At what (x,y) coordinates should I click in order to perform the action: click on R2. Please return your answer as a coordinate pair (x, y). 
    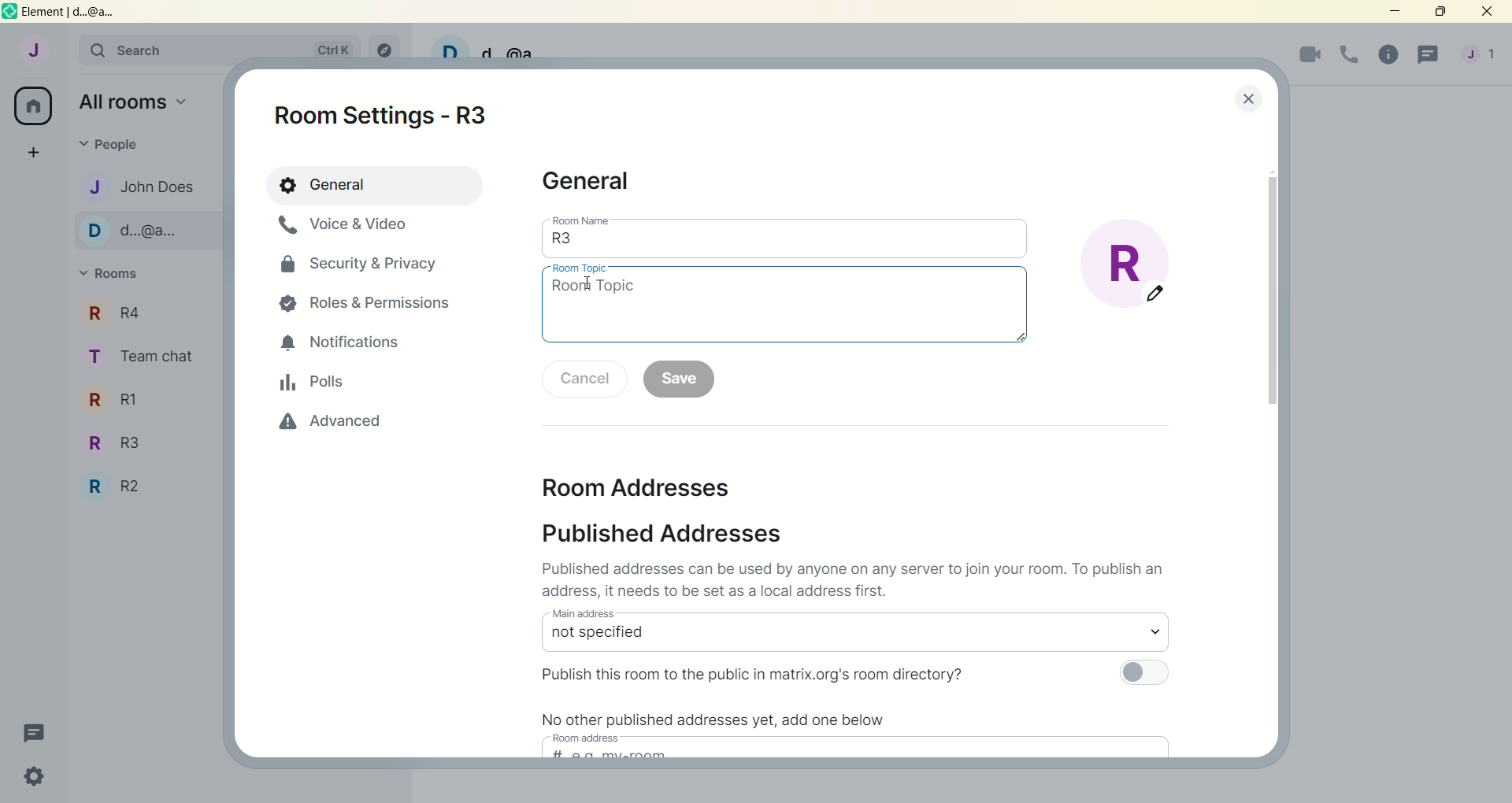
    Looking at the image, I should click on (144, 483).